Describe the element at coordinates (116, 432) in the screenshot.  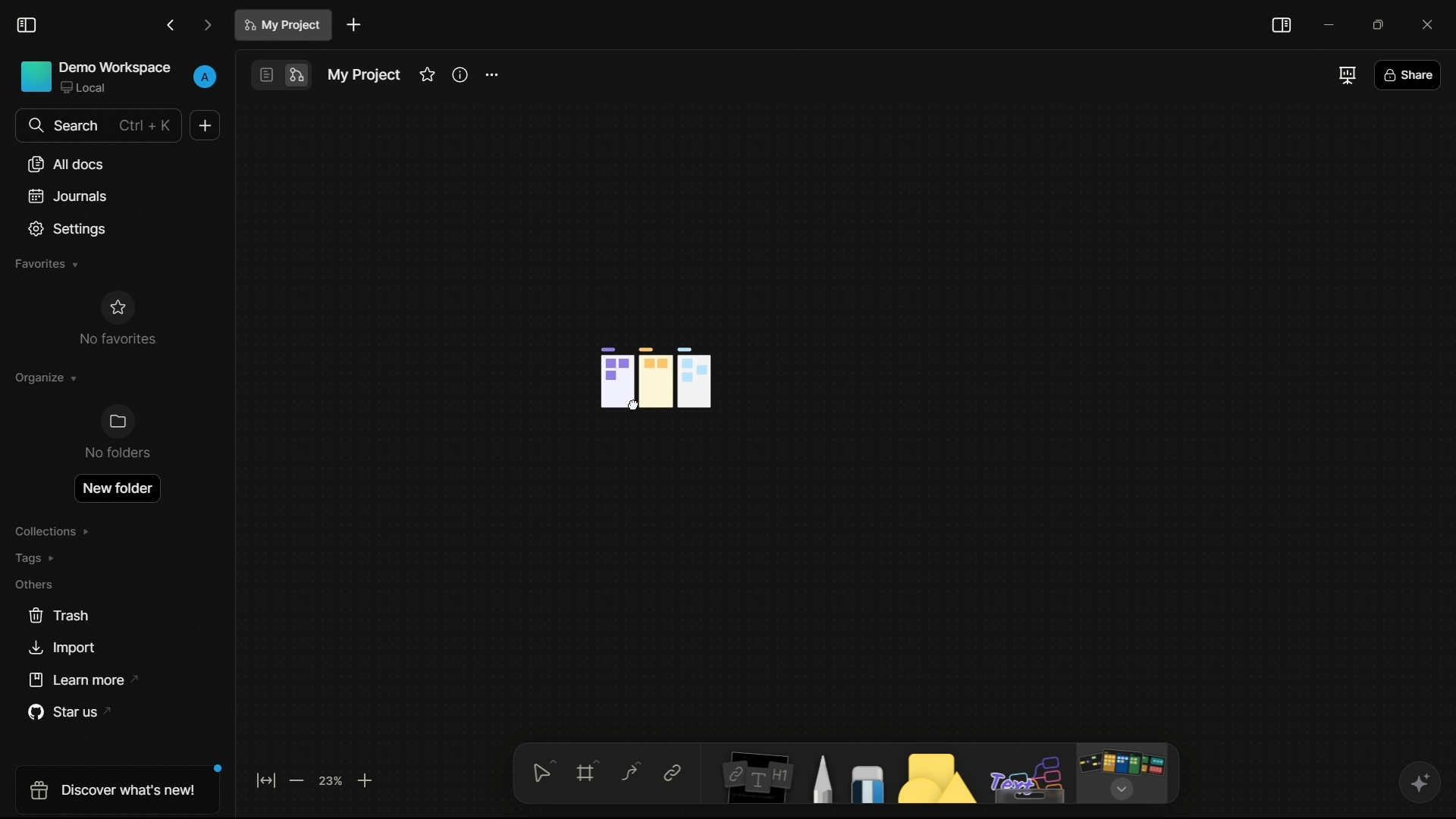
I see `no folders` at that location.